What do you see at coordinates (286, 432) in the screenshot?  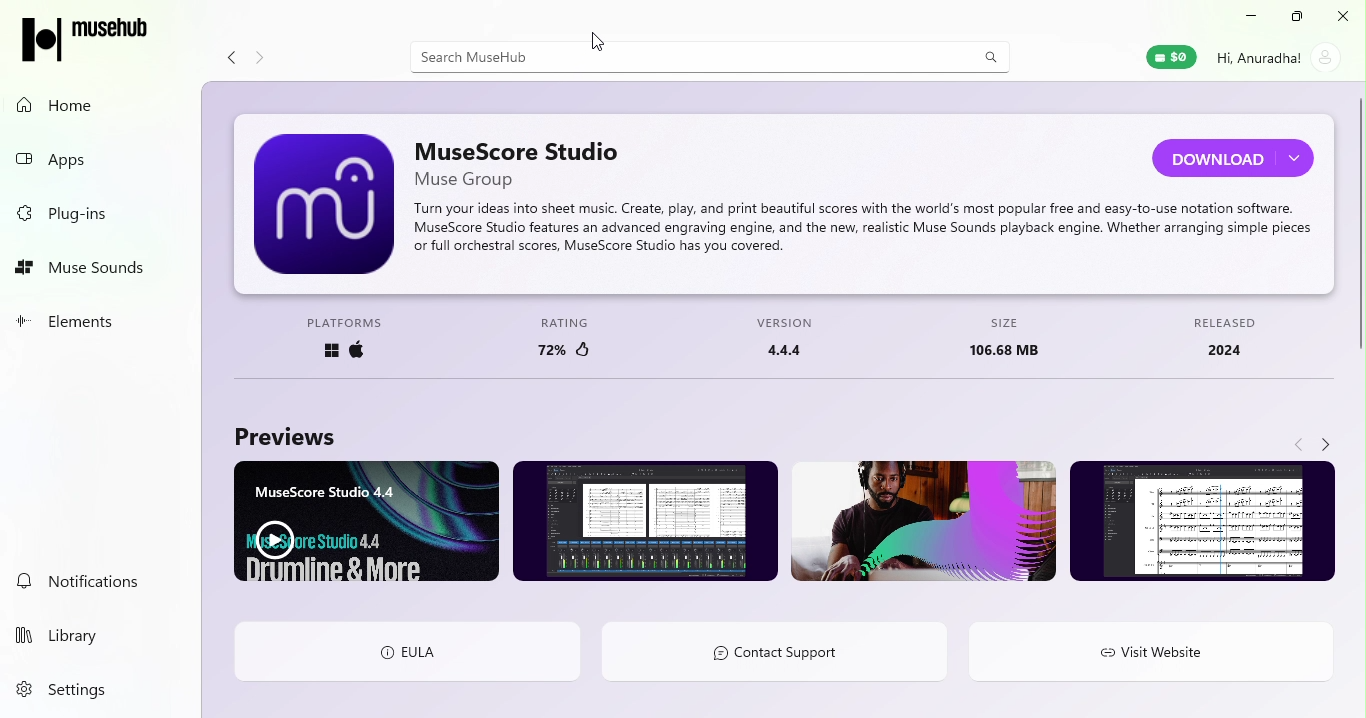 I see `Previews` at bounding box center [286, 432].